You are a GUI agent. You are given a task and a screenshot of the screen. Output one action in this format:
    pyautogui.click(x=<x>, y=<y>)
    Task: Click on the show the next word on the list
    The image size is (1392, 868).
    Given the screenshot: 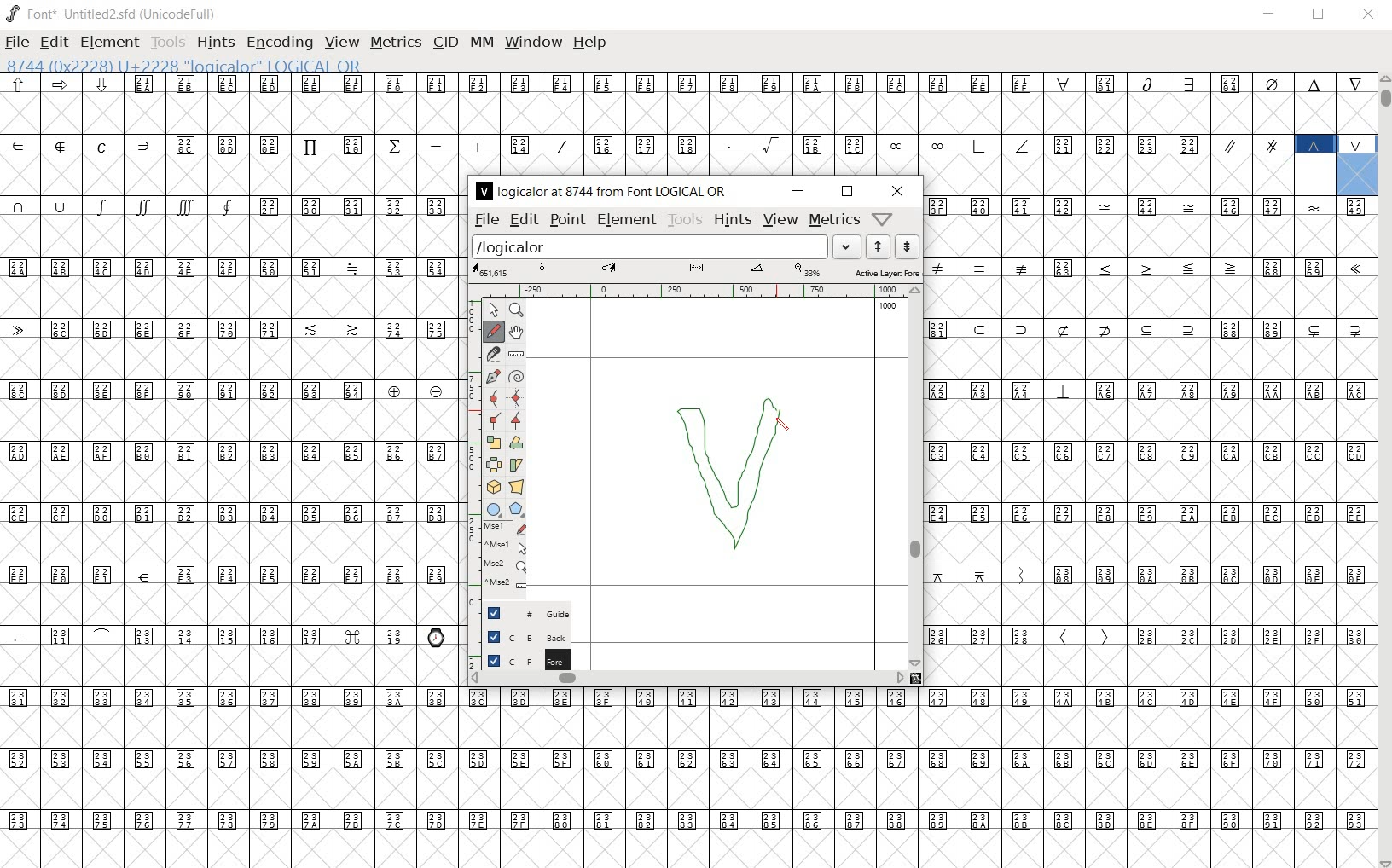 What is the action you would take?
    pyautogui.click(x=878, y=246)
    